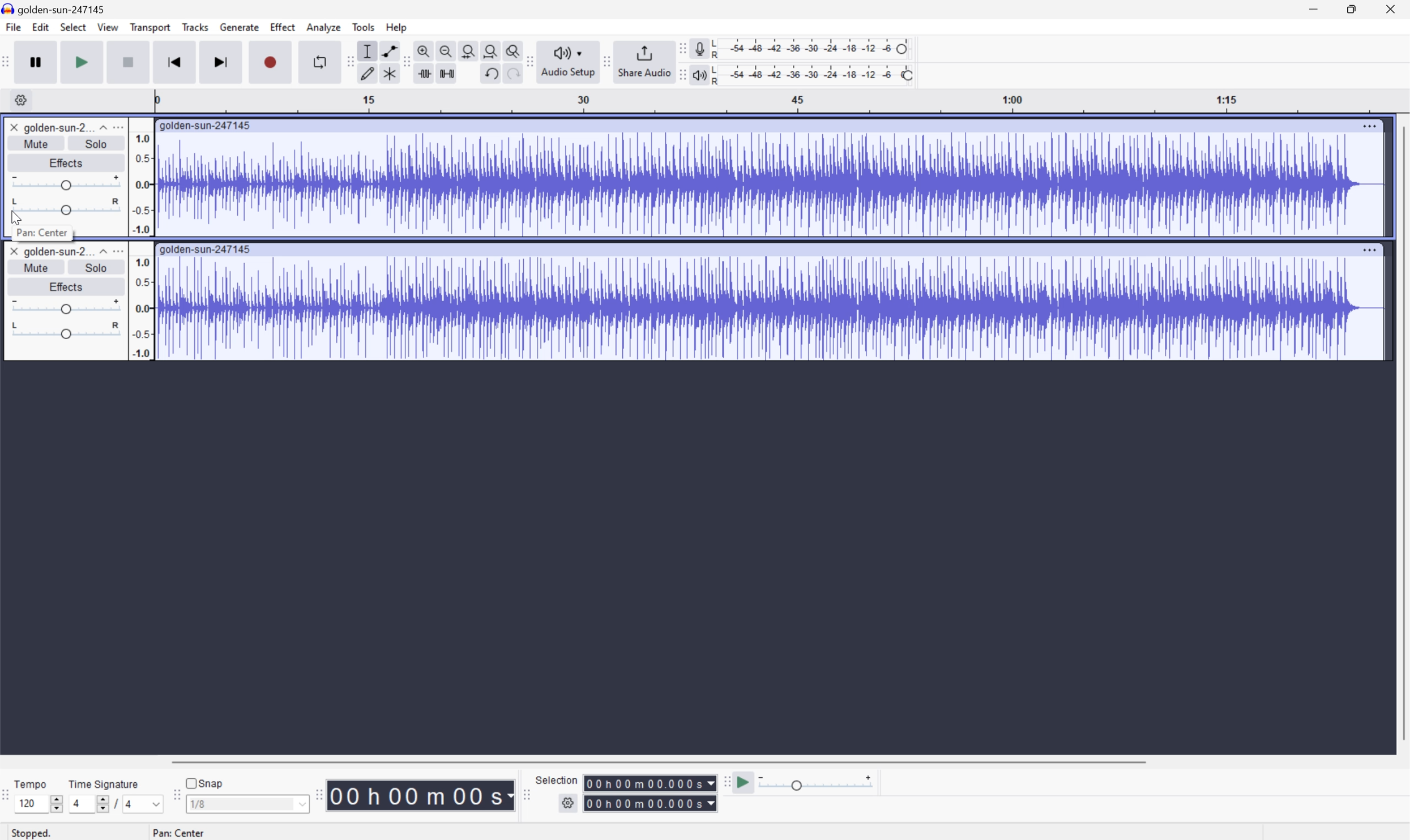  What do you see at coordinates (569, 803) in the screenshot?
I see `settings` at bounding box center [569, 803].